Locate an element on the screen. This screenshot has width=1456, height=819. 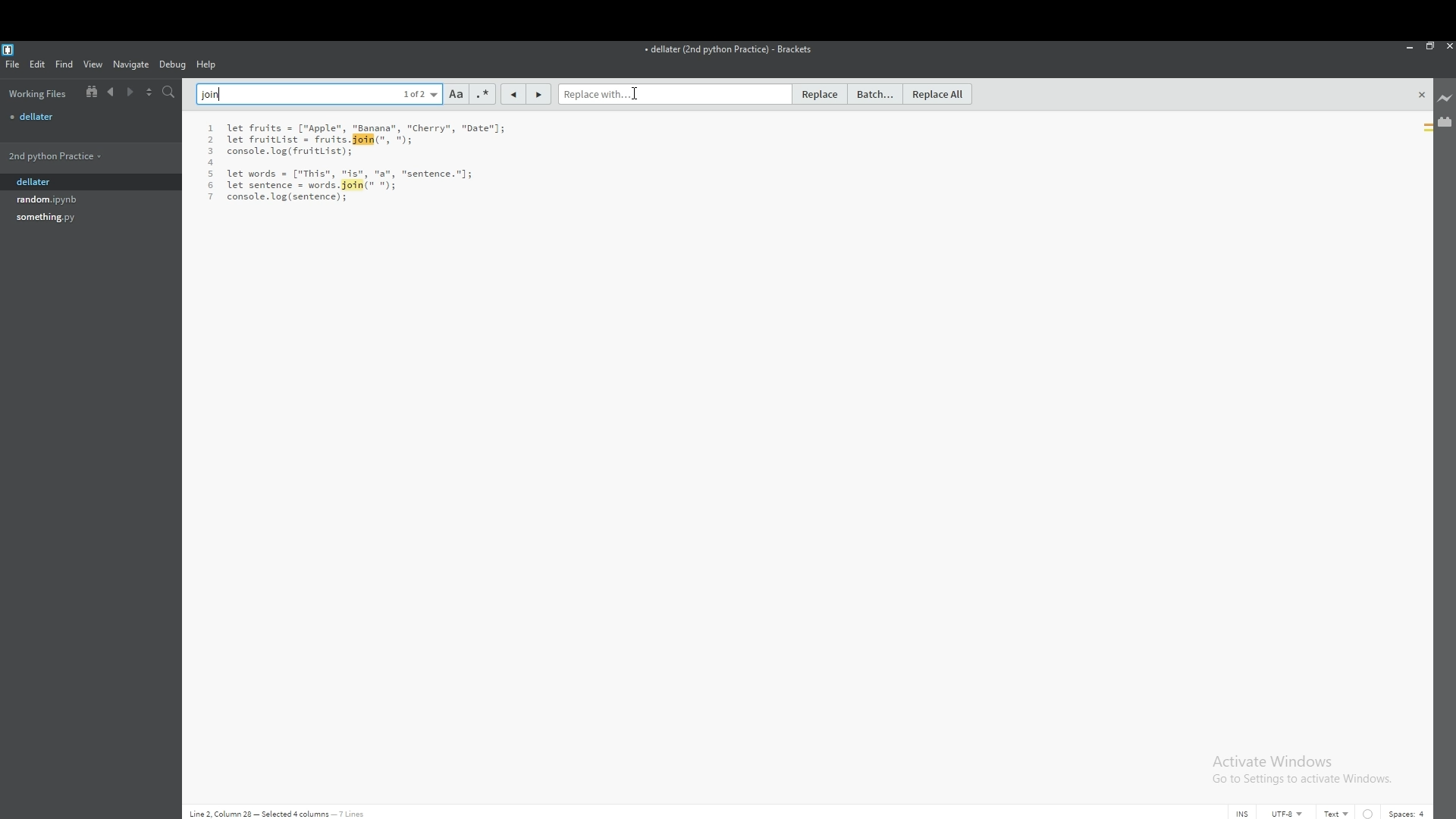
file is located at coordinates (71, 199).